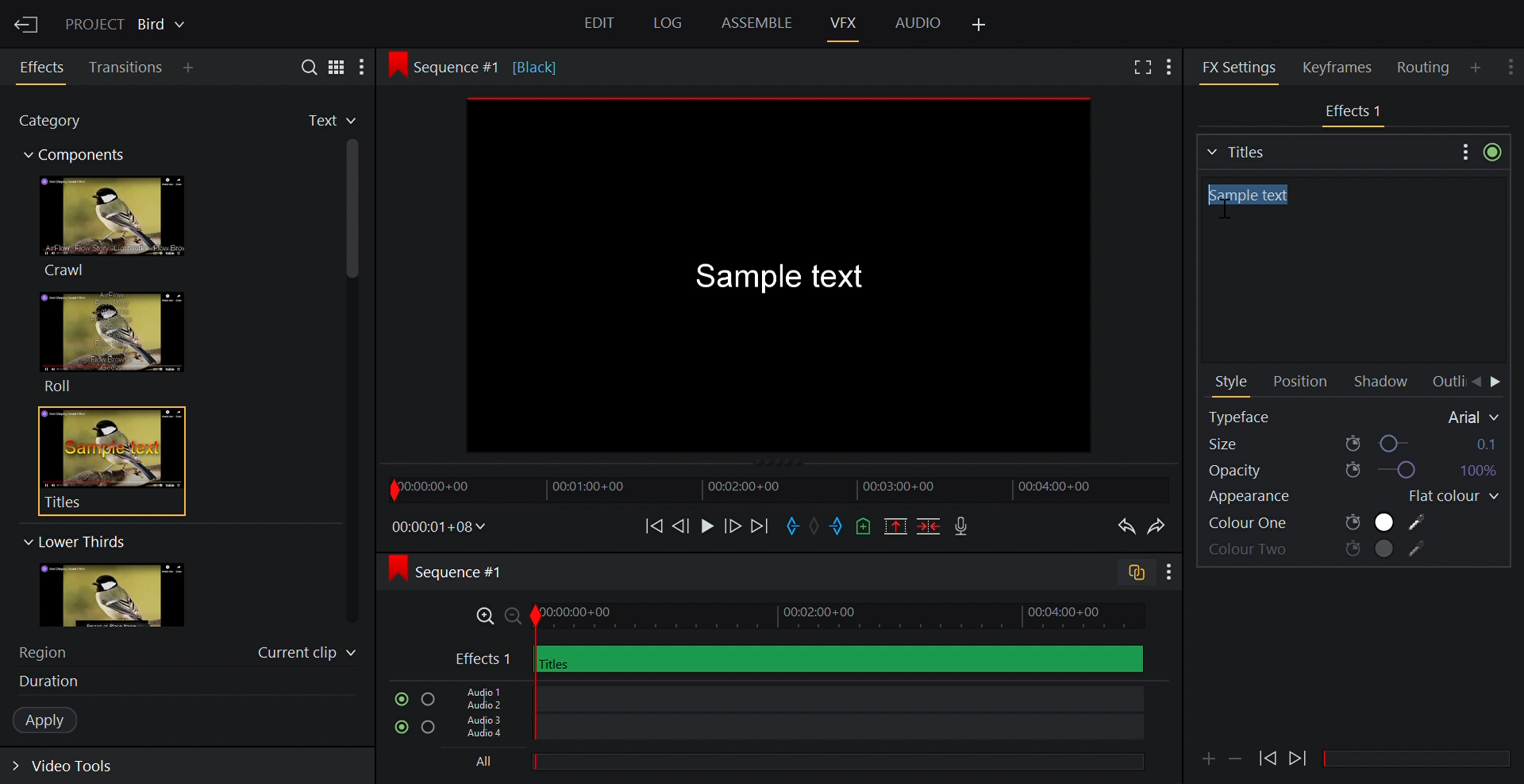  What do you see at coordinates (1122, 527) in the screenshot?
I see `Undo` at bounding box center [1122, 527].